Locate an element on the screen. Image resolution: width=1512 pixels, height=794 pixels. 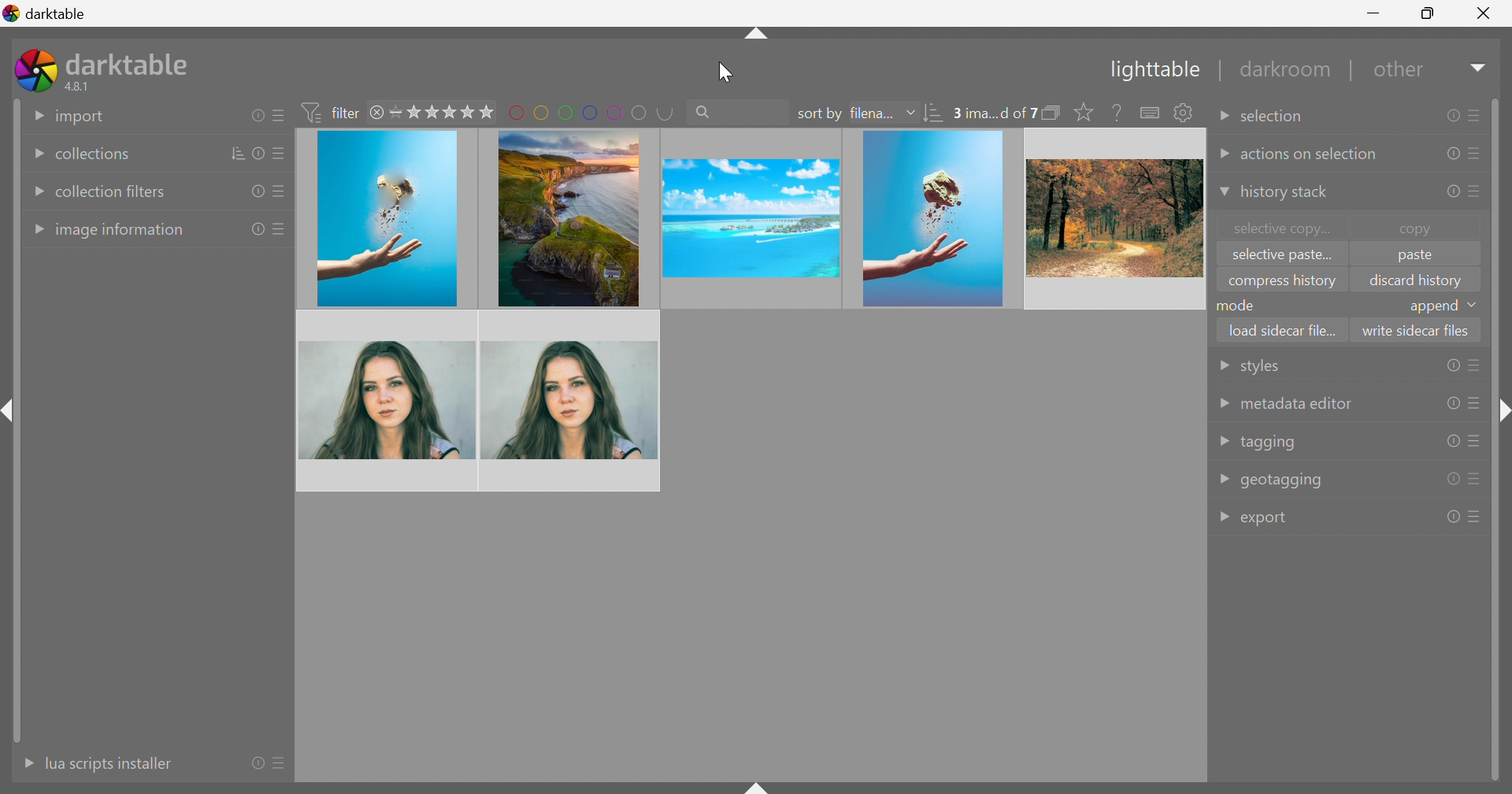
image is located at coordinates (565, 217).